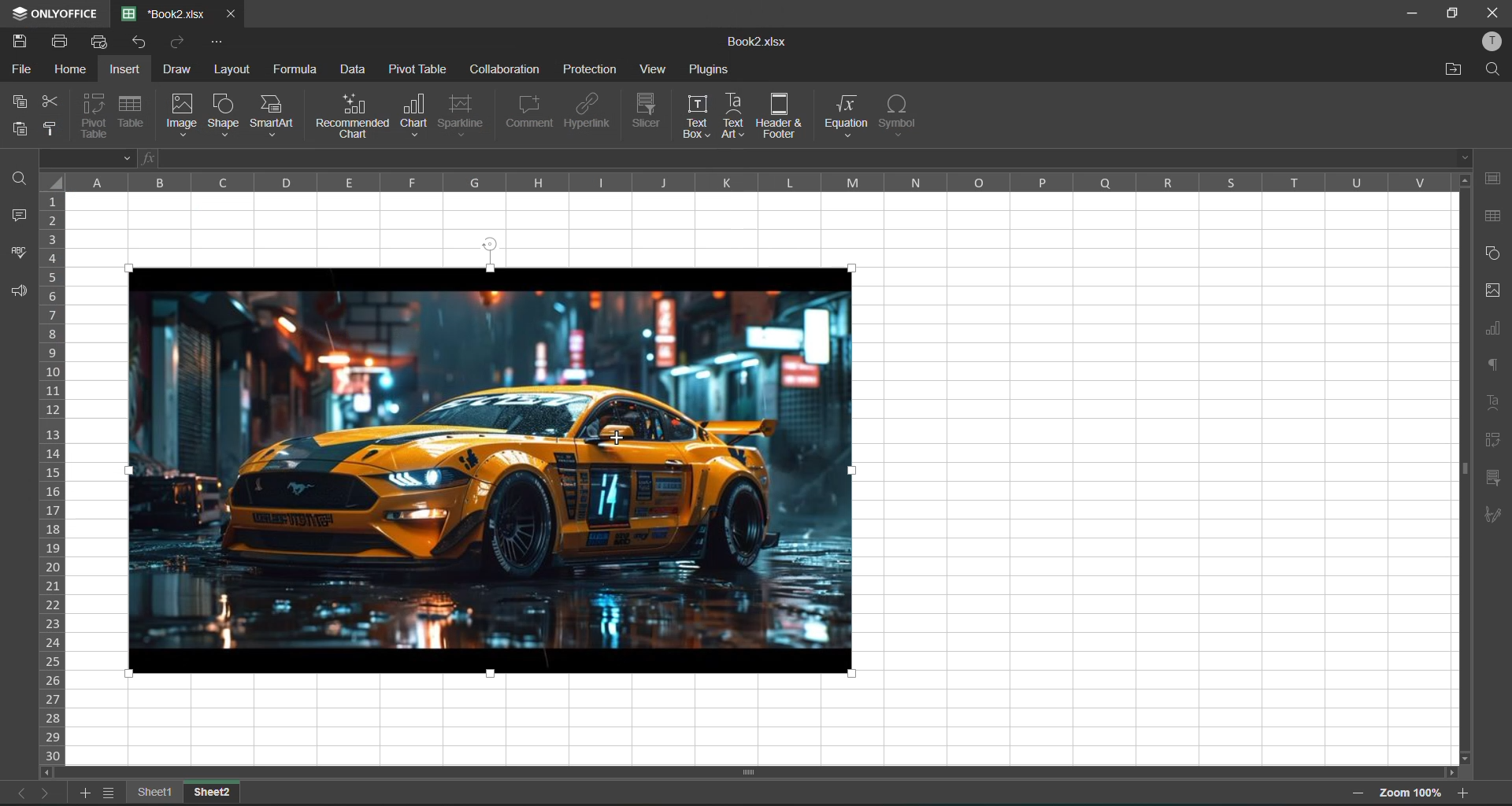  I want to click on close, so click(1493, 11).